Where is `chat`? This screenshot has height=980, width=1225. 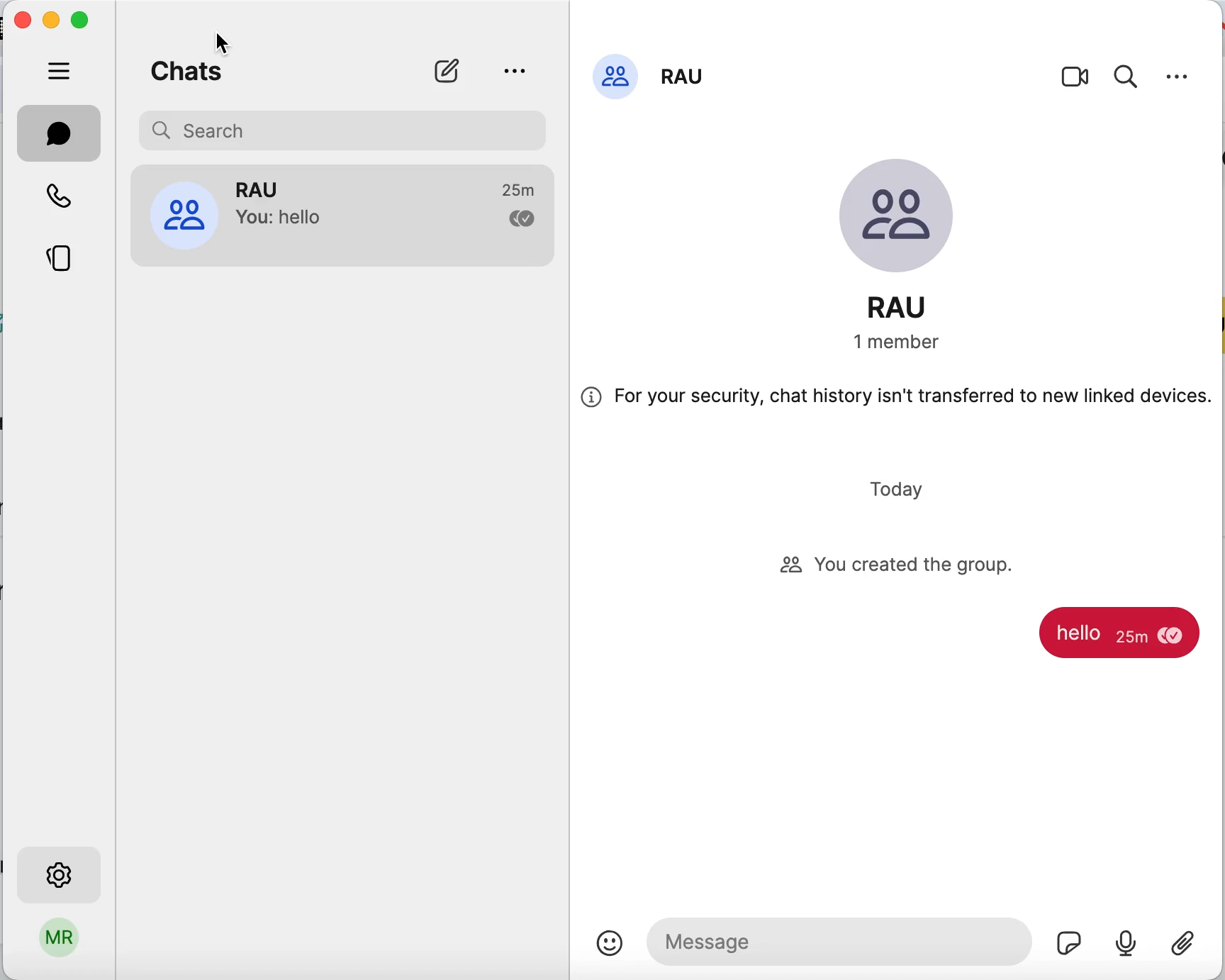
chat is located at coordinates (60, 133).